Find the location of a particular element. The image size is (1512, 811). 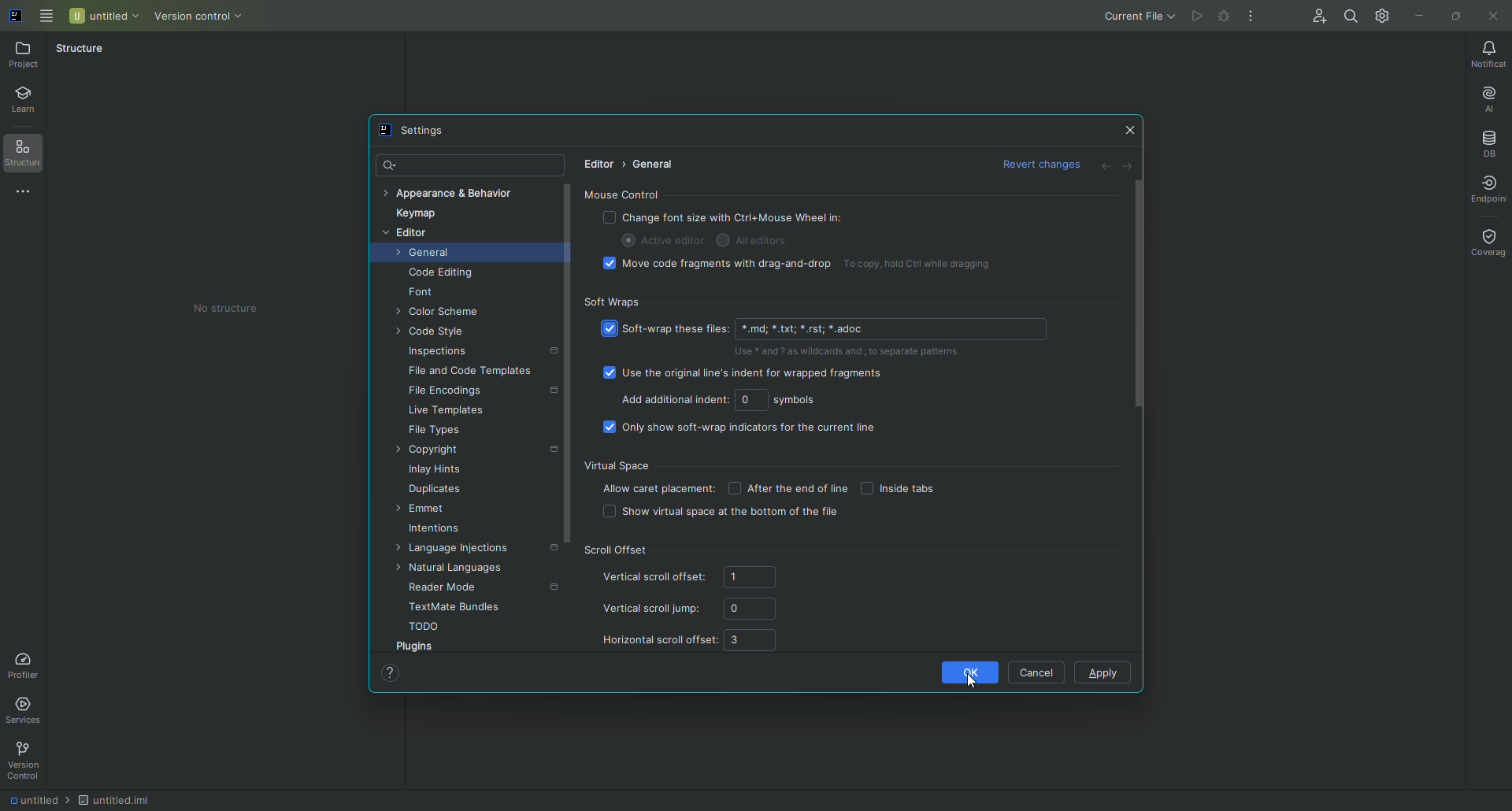

General is located at coordinates (657, 165).